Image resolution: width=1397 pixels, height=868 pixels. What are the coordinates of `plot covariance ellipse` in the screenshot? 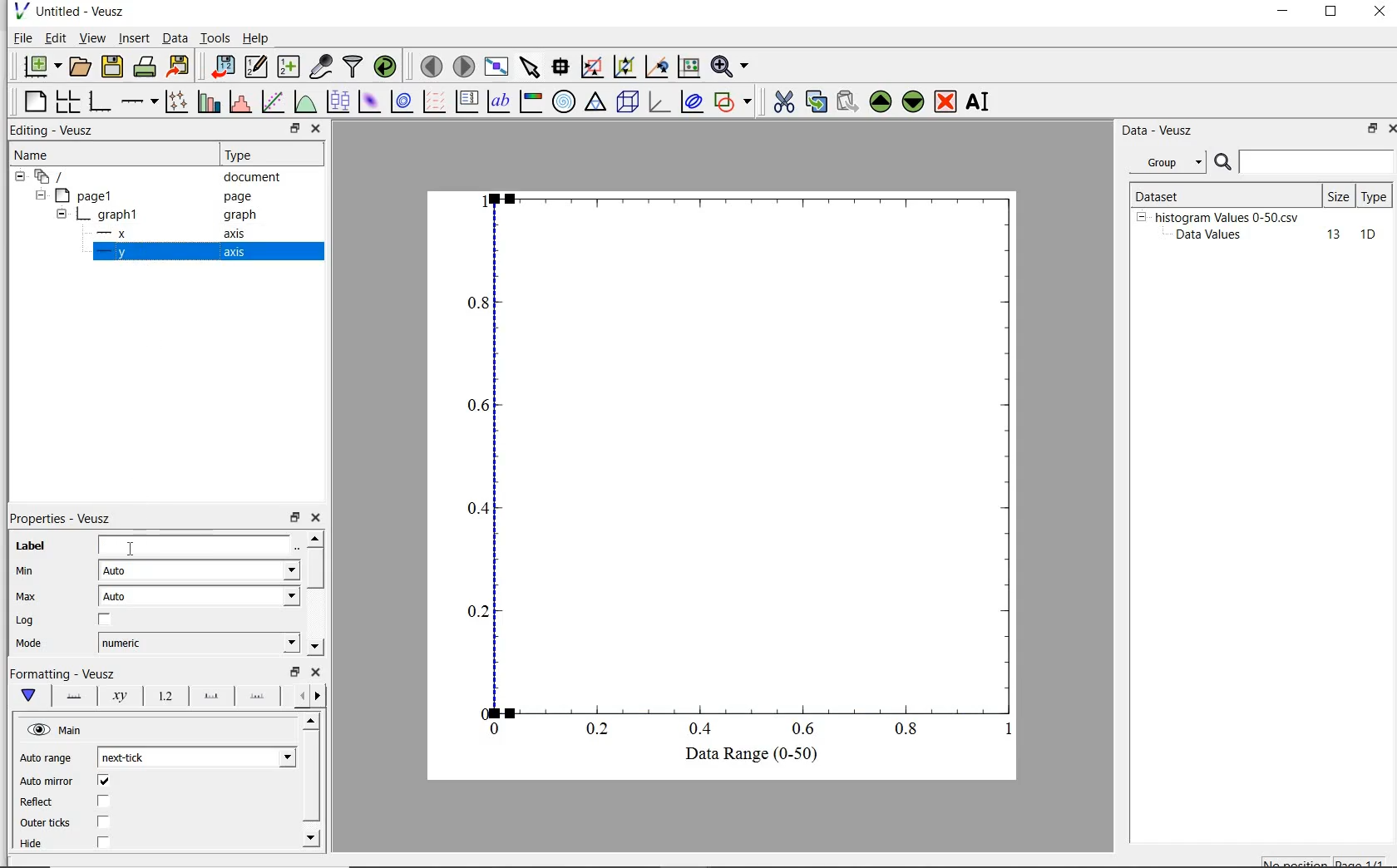 It's located at (692, 104).